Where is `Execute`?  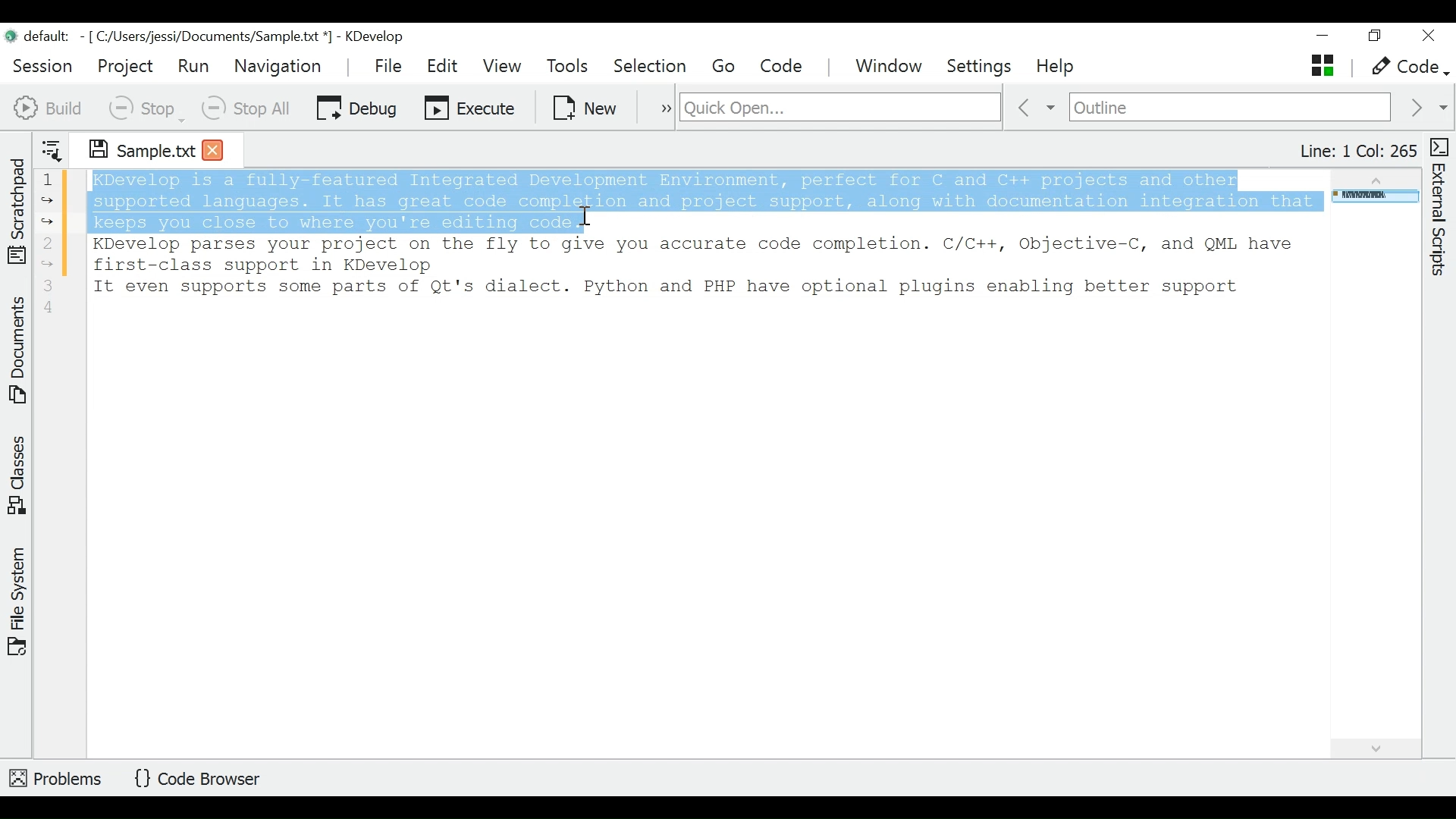 Execute is located at coordinates (471, 106).